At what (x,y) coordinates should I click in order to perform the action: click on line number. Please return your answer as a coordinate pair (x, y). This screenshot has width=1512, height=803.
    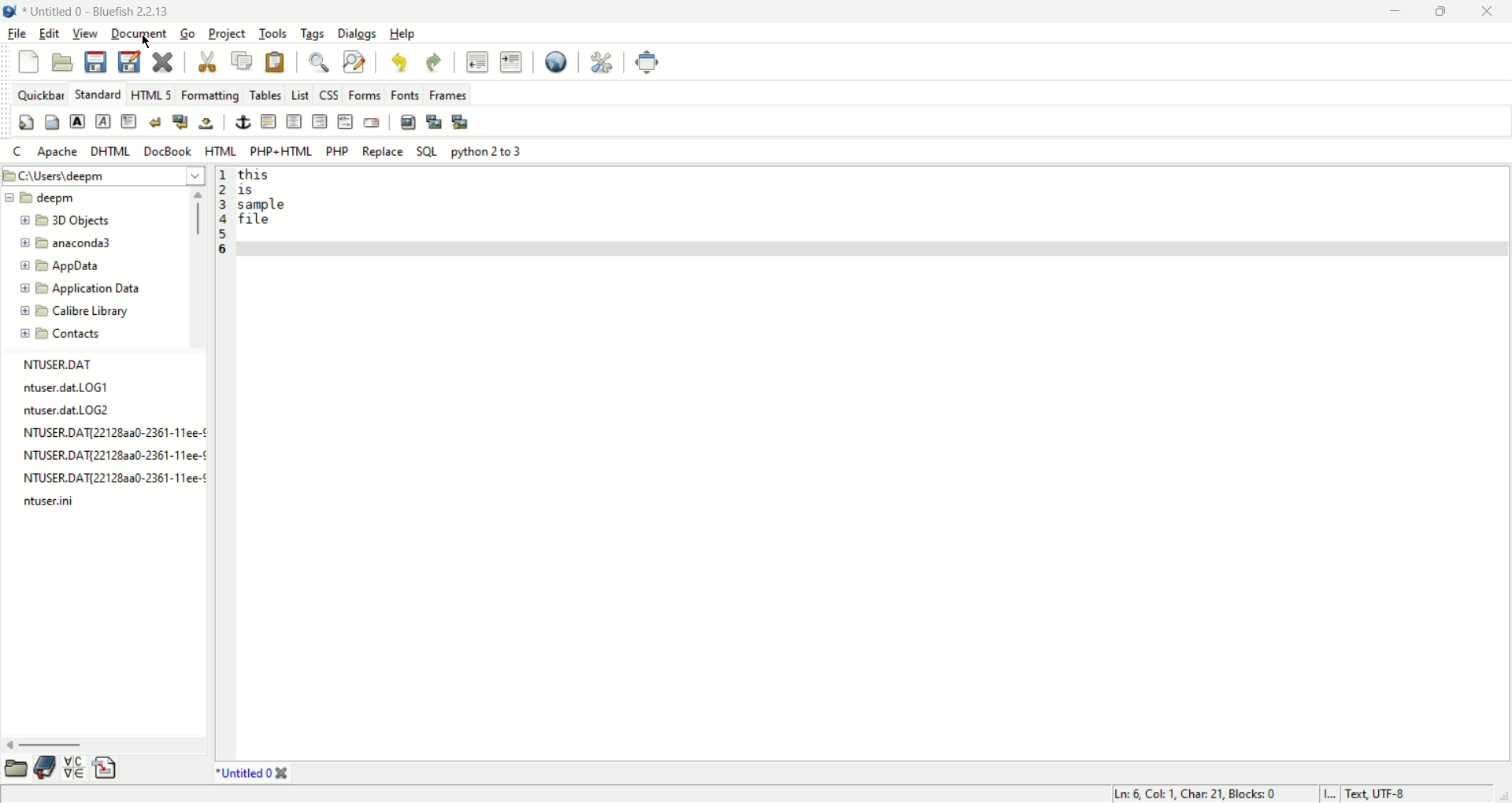
    Looking at the image, I should click on (222, 223).